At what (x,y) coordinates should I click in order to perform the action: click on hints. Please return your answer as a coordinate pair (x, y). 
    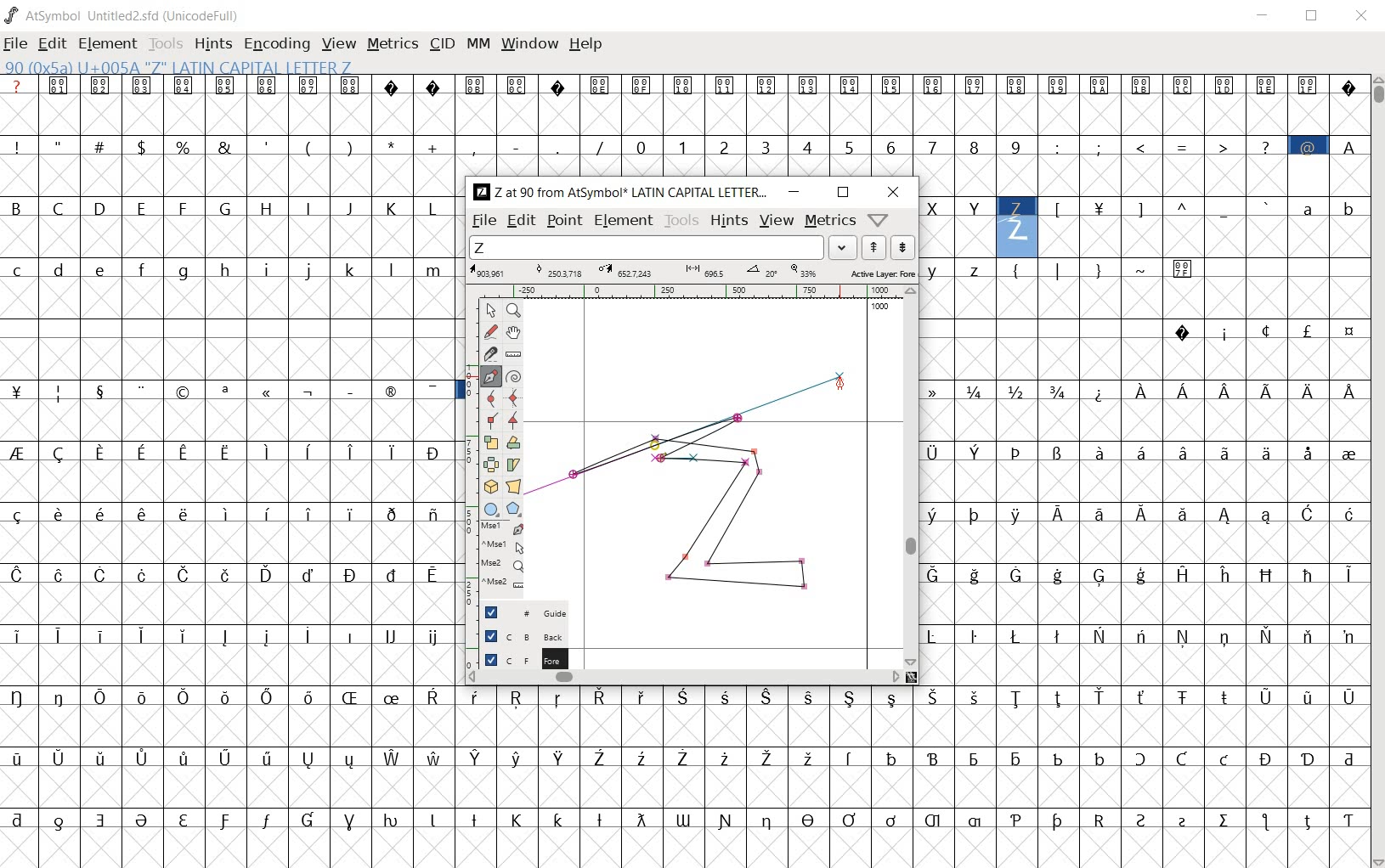
    Looking at the image, I should click on (728, 222).